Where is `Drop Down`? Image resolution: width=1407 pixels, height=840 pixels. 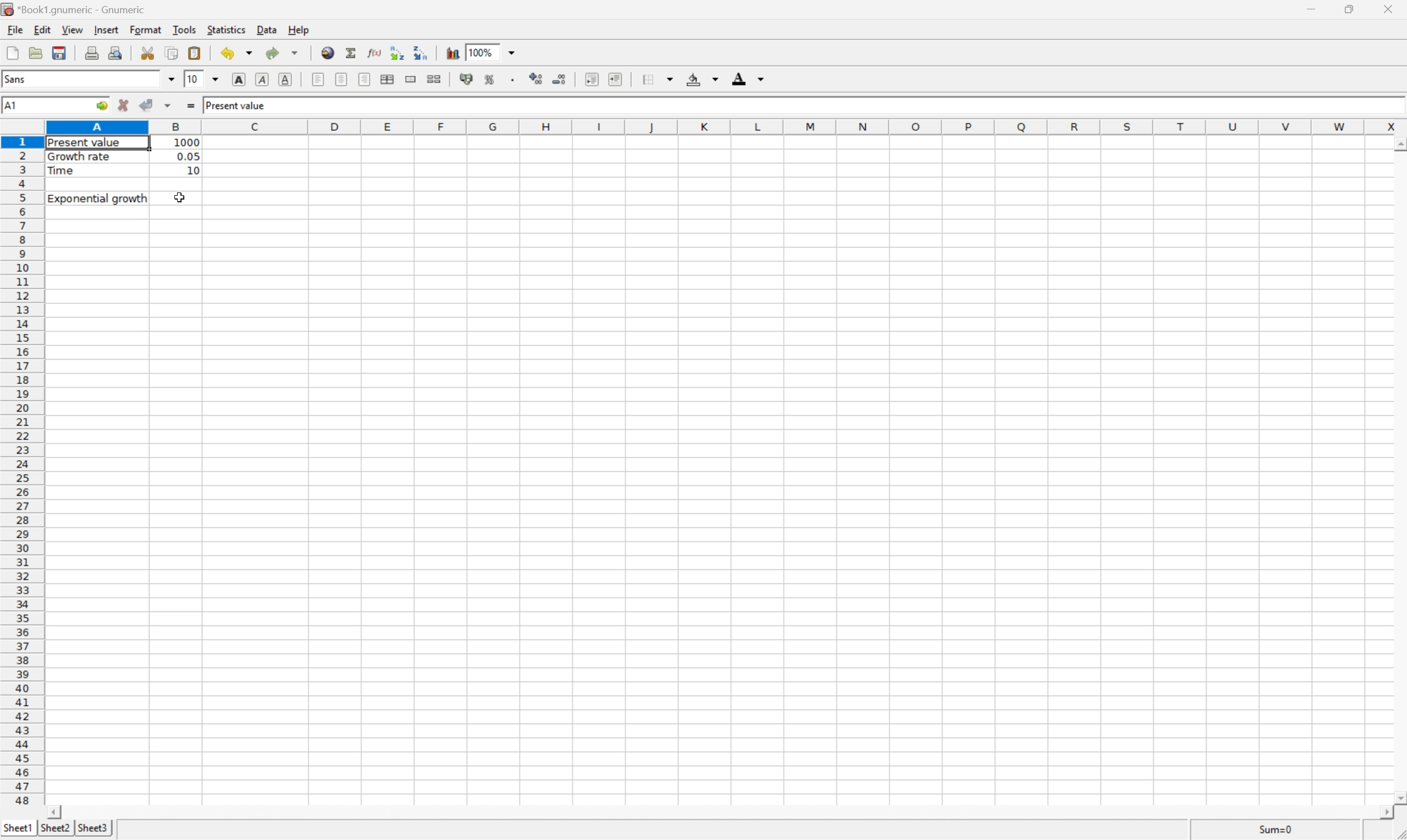
Drop Down is located at coordinates (171, 80).